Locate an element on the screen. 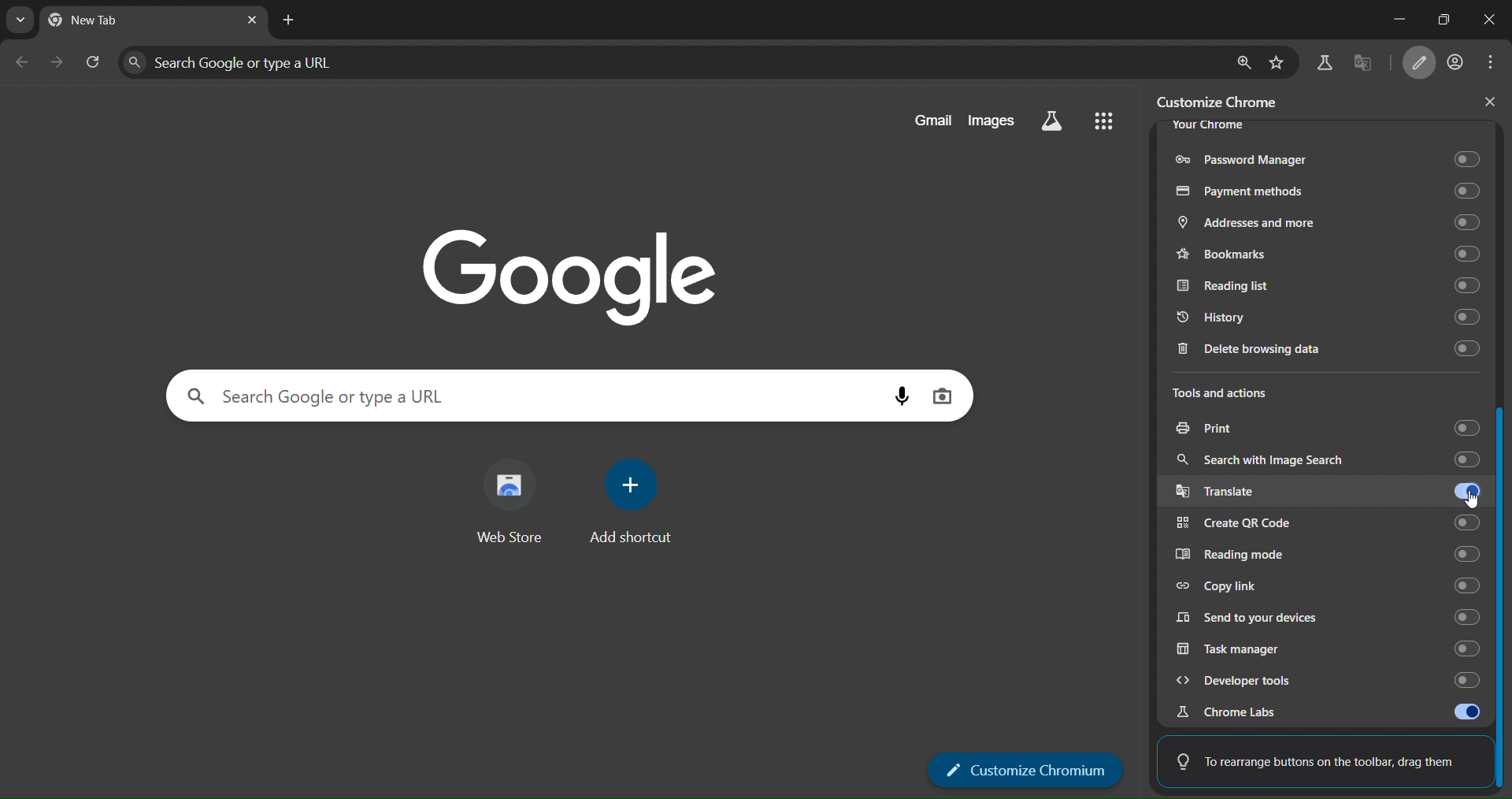 The width and height of the screenshot is (1512, 799). close is located at coordinates (1487, 23).